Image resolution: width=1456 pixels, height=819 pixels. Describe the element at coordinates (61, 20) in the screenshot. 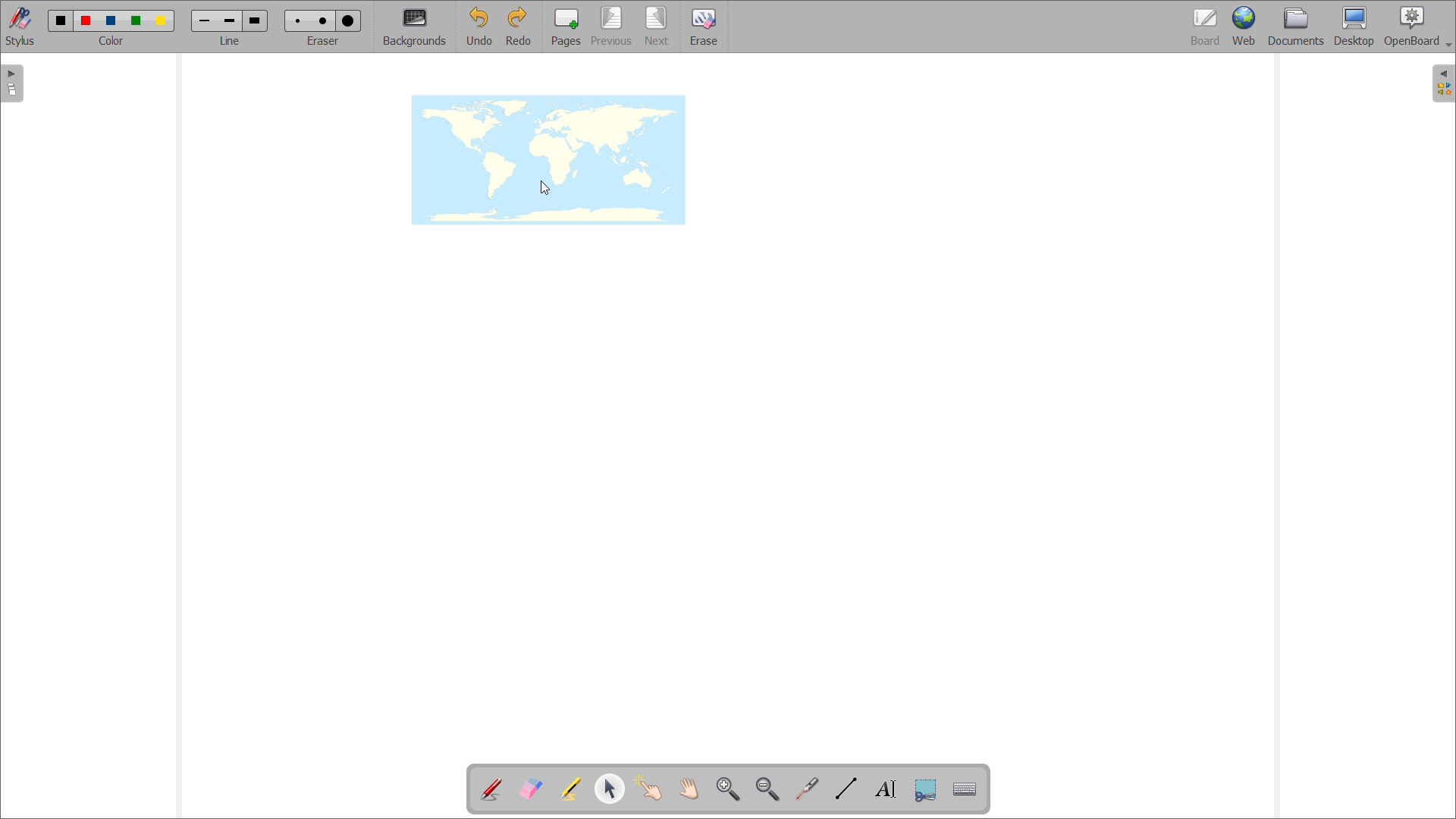

I see `black` at that location.